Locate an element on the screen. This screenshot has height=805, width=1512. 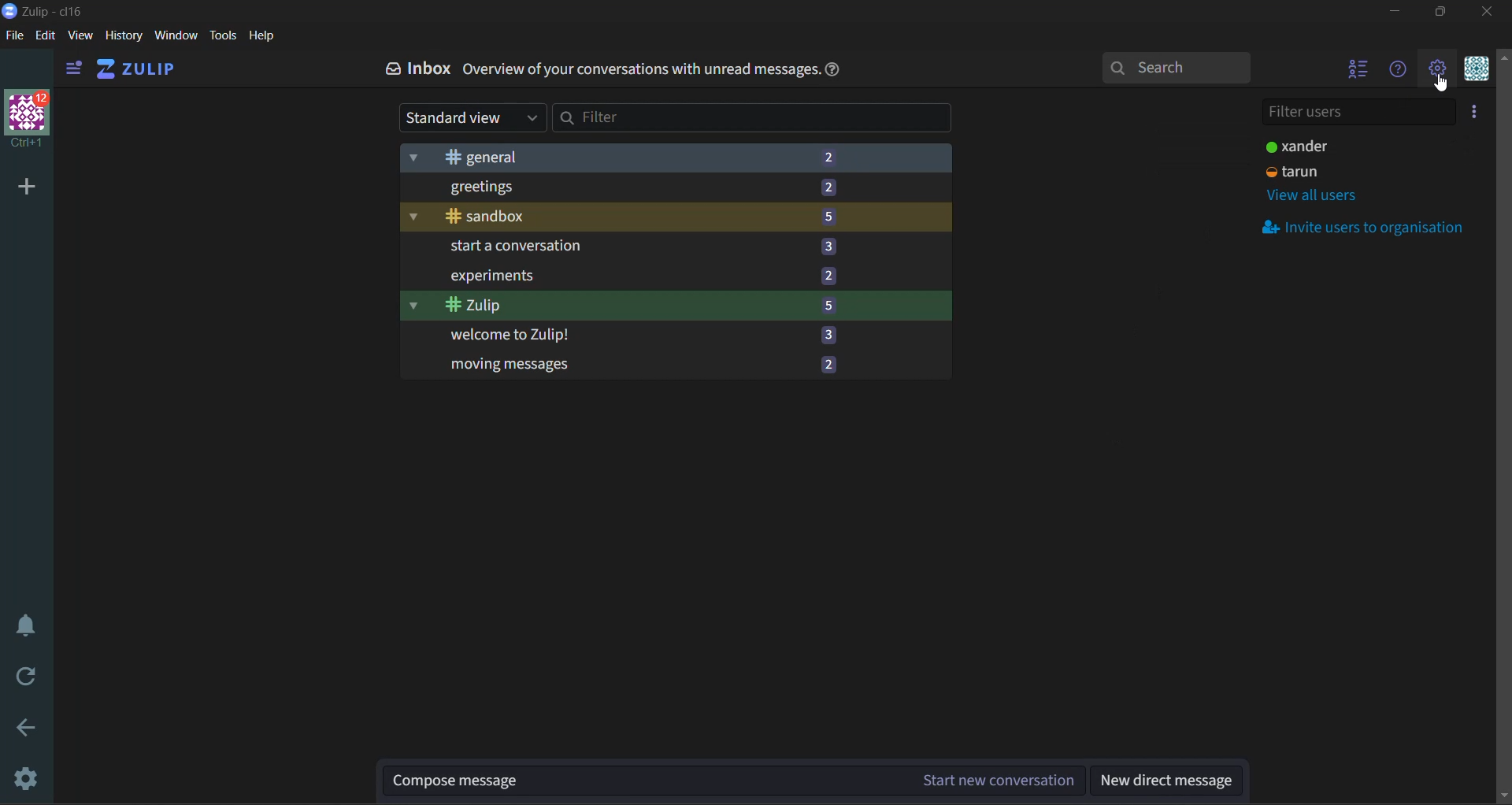
help is located at coordinates (840, 74).